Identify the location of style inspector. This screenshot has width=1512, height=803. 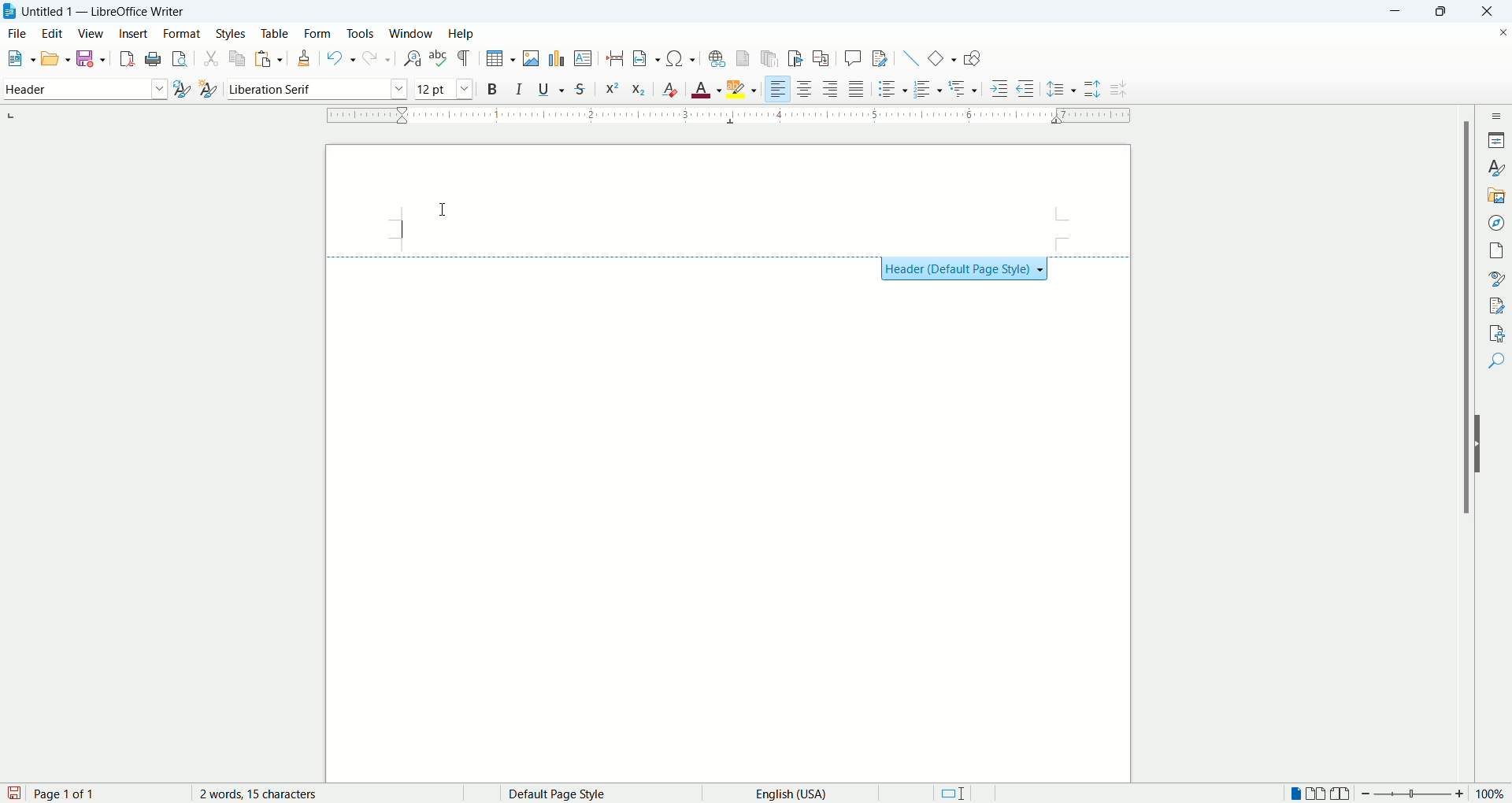
(1498, 277).